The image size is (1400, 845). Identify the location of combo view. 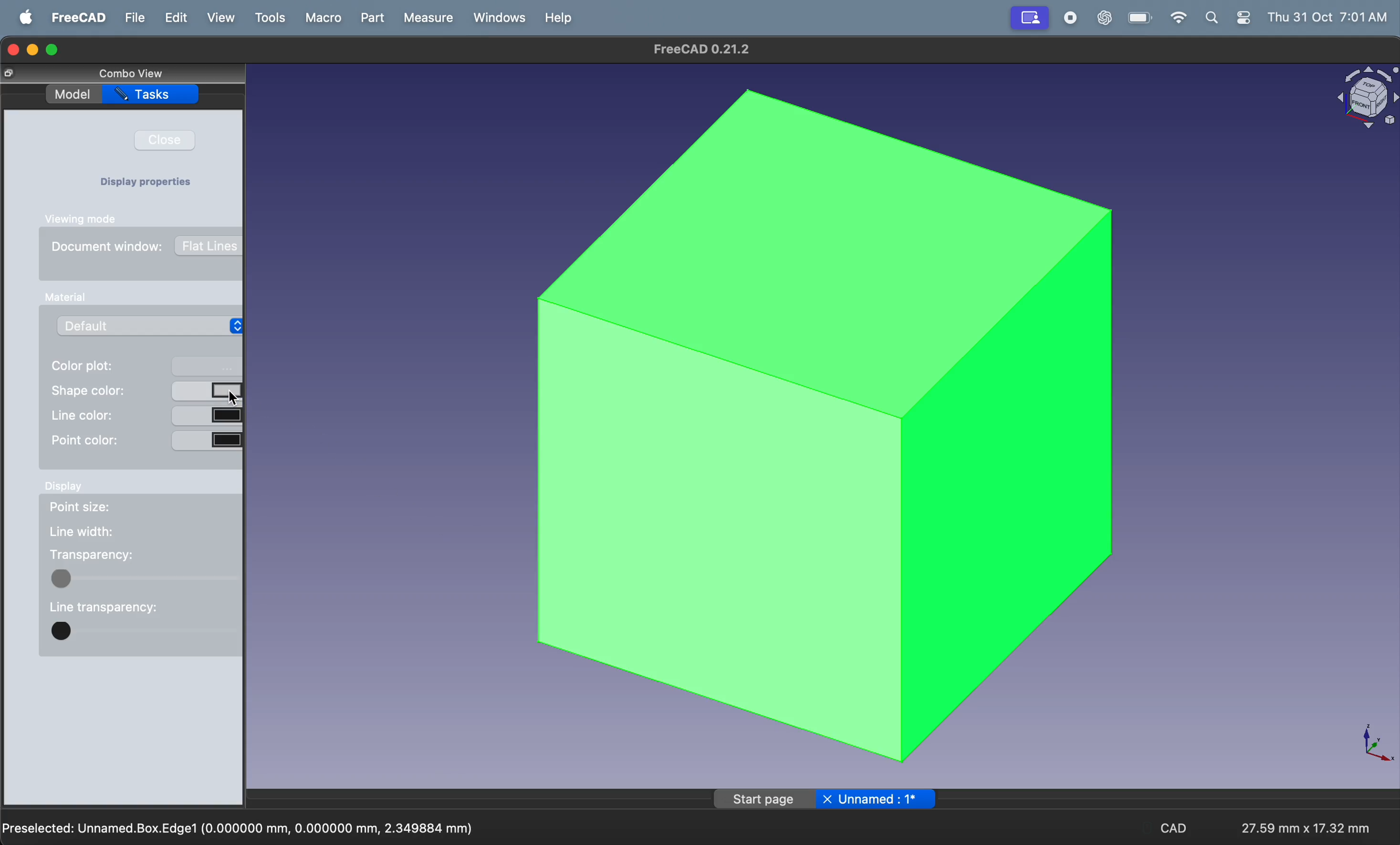
(134, 73).